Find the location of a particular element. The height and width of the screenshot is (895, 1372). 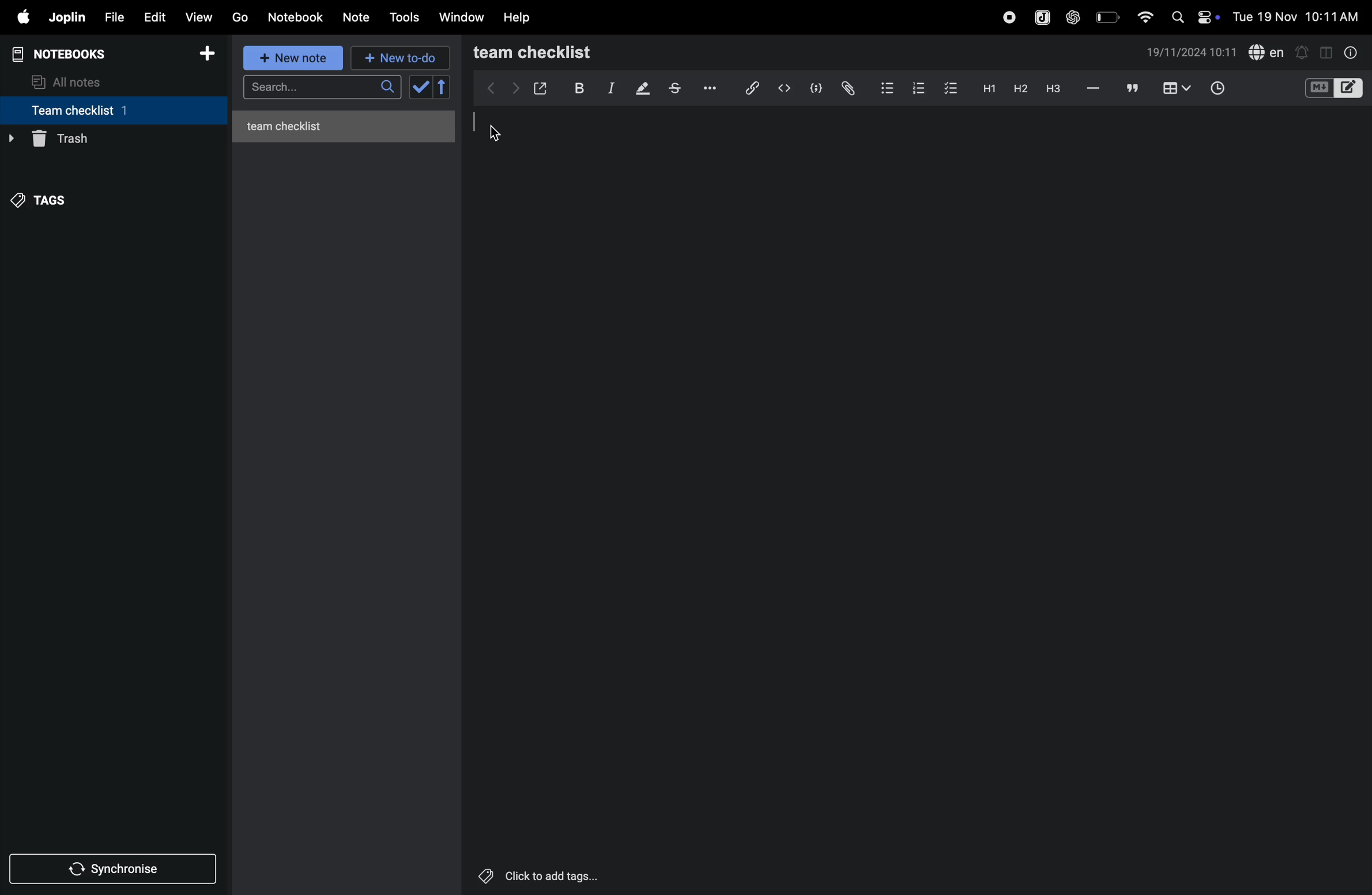

heading 2 is located at coordinates (1017, 88).